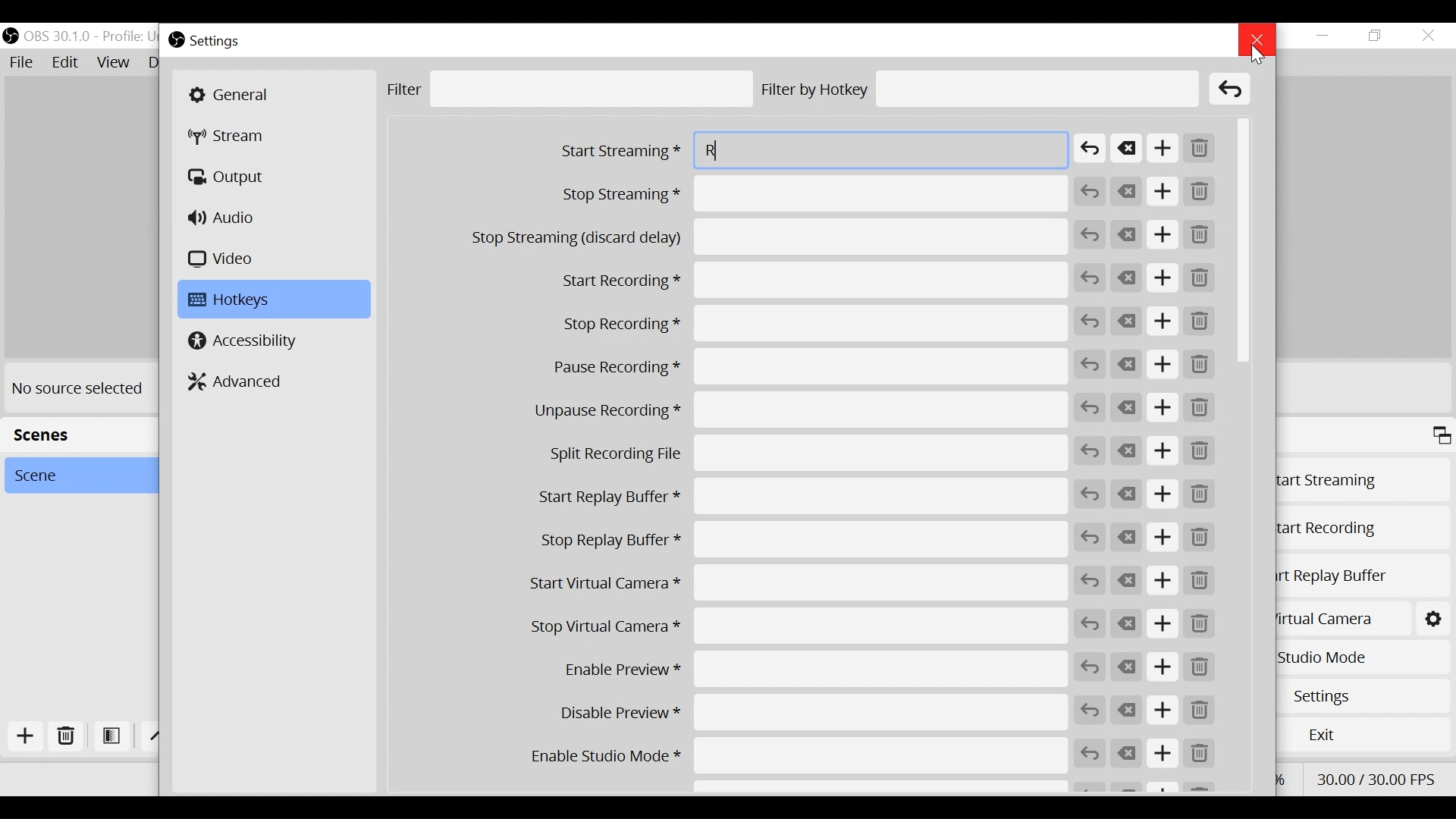  Describe the element at coordinates (798, 411) in the screenshot. I see `Unpause Recording` at that location.